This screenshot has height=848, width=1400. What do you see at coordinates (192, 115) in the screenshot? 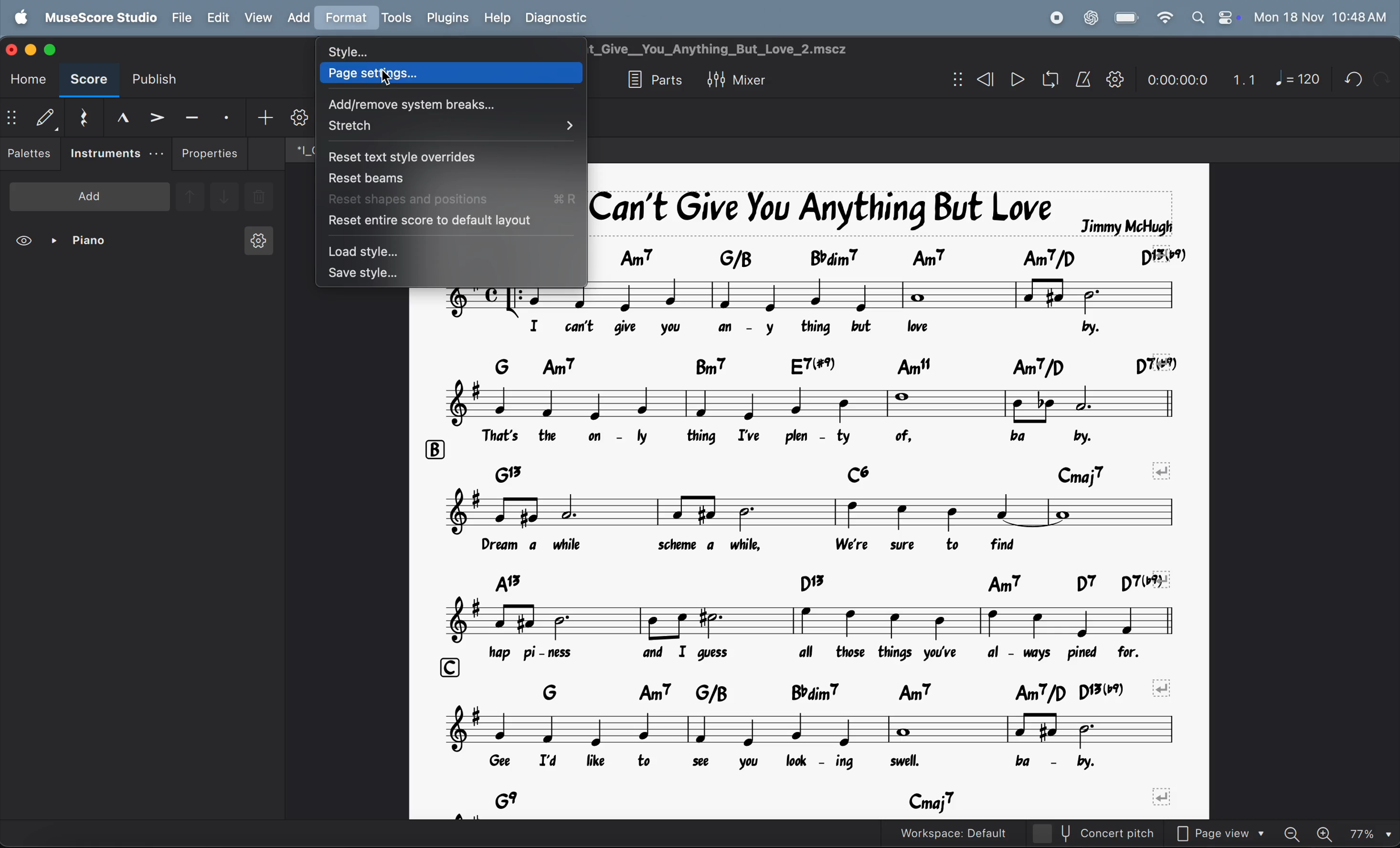
I see `tenuto` at bounding box center [192, 115].